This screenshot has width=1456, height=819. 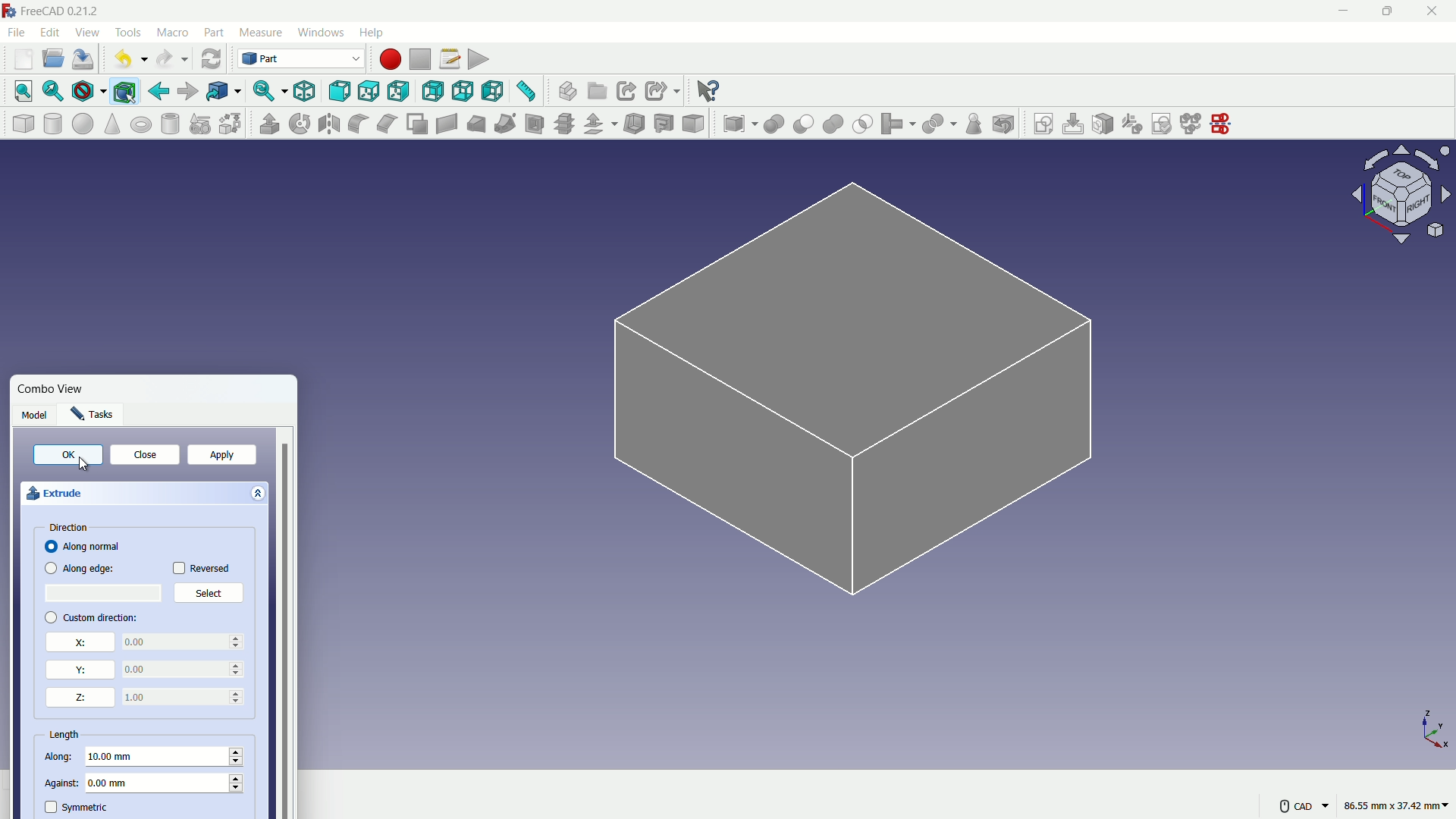 What do you see at coordinates (1346, 11) in the screenshot?
I see `minimize` at bounding box center [1346, 11].